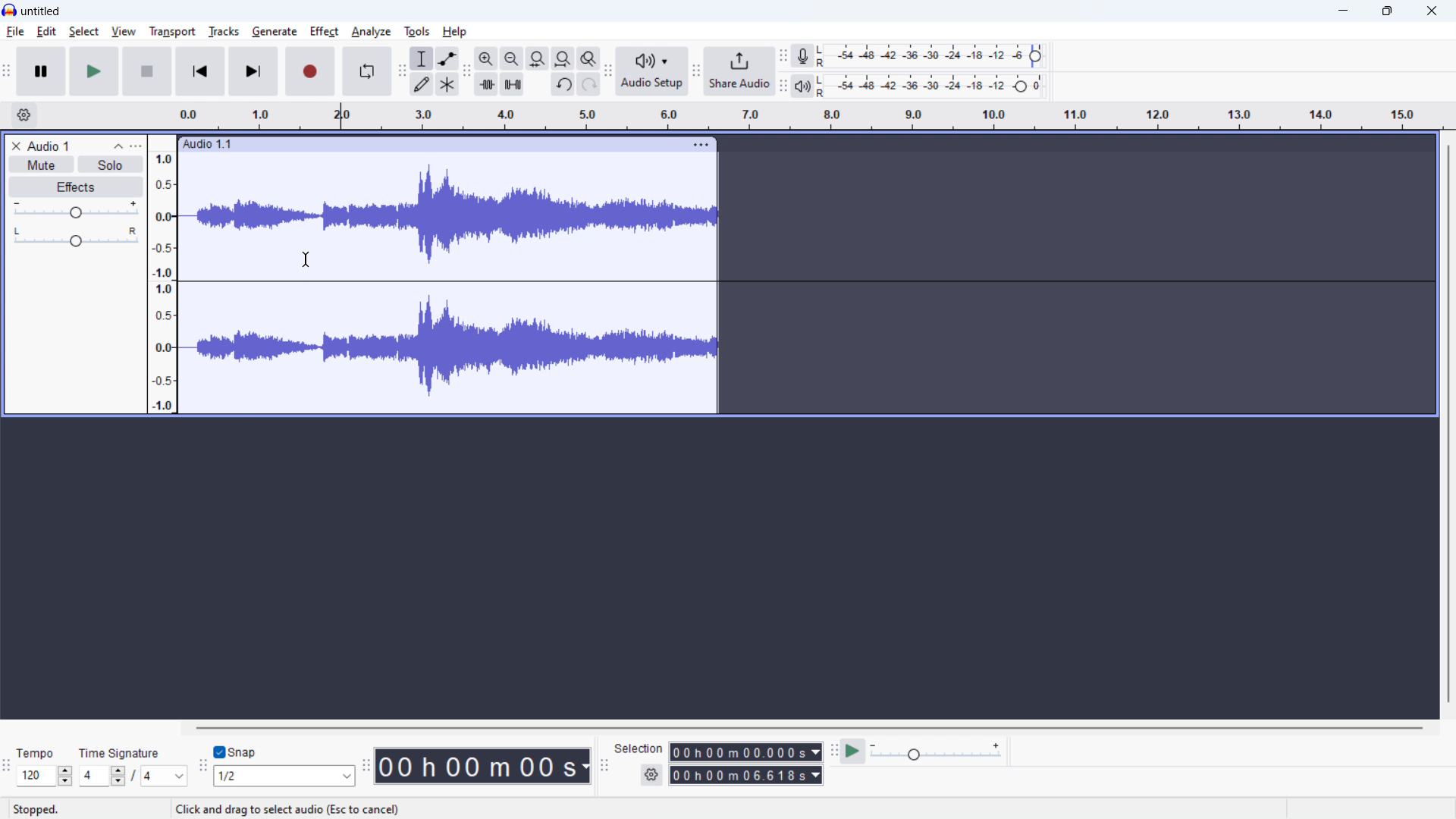 The height and width of the screenshot is (819, 1456). I want to click on Click and drag to select audio, so click(287, 810).